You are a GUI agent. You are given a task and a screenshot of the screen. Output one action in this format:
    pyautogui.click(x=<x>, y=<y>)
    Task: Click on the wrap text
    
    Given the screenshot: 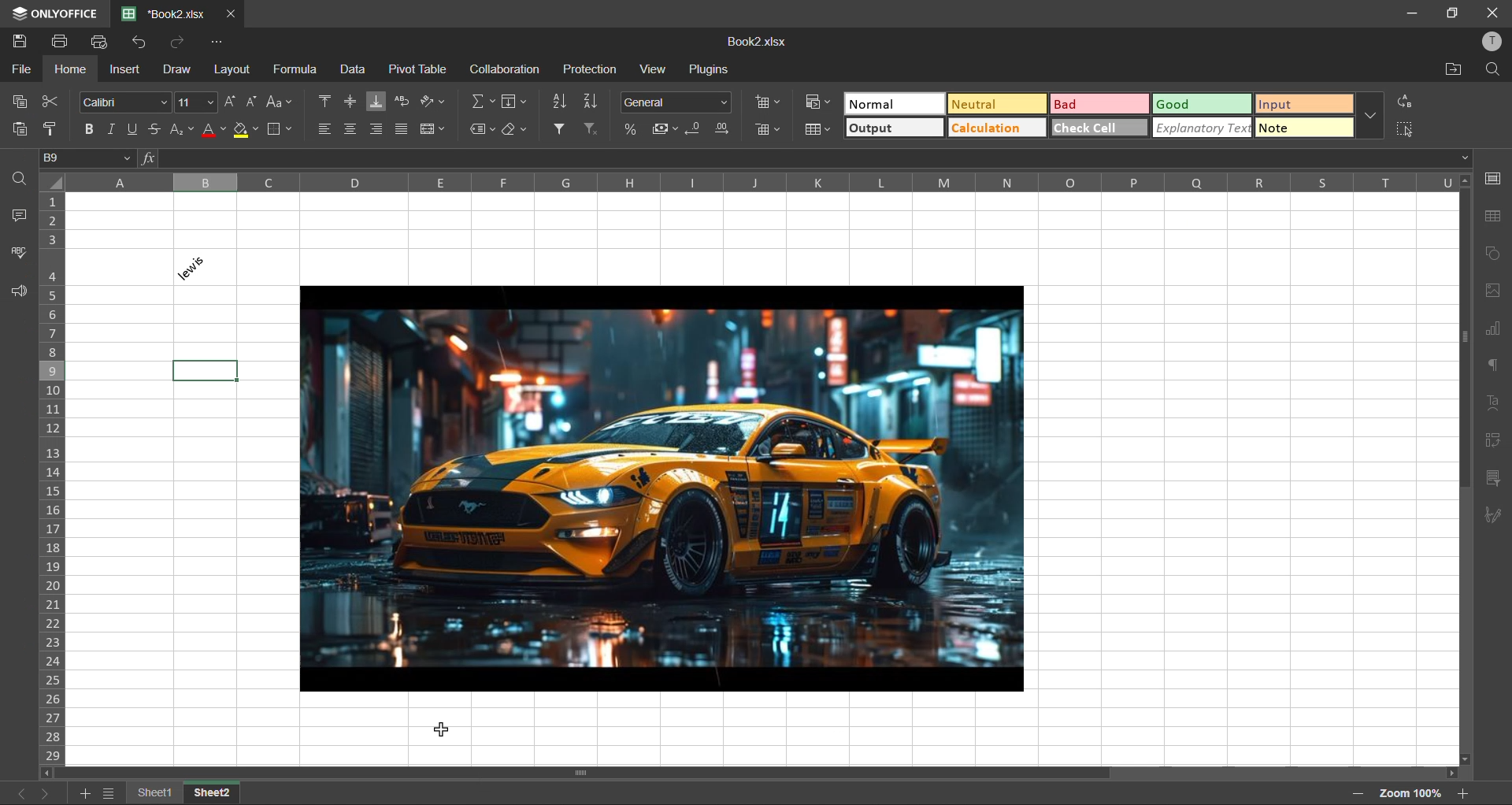 What is the action you would take?
    pyautogui.click(x=402, y=101)
    